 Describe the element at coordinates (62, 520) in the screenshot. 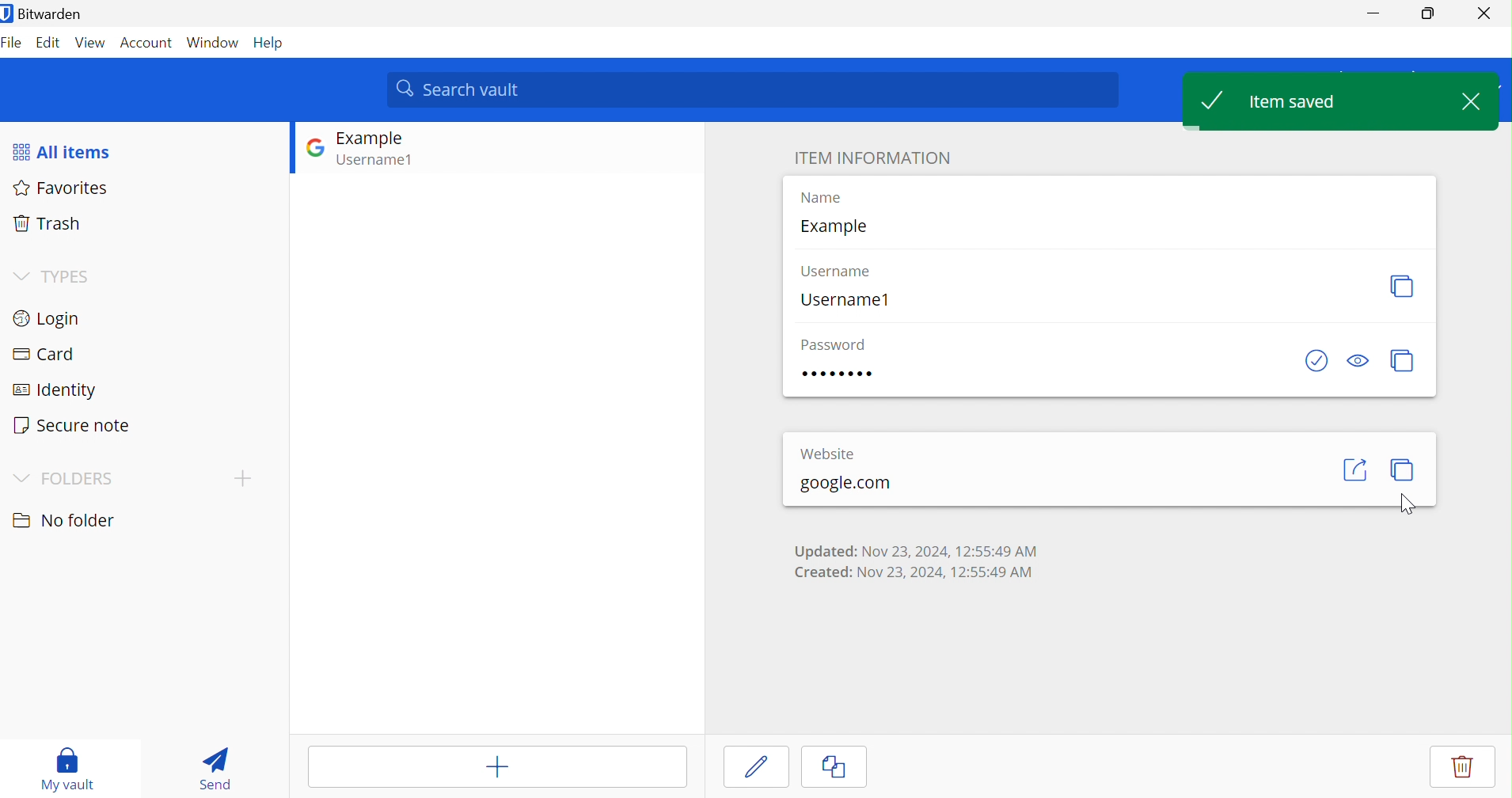

I see `No folder` at that location.